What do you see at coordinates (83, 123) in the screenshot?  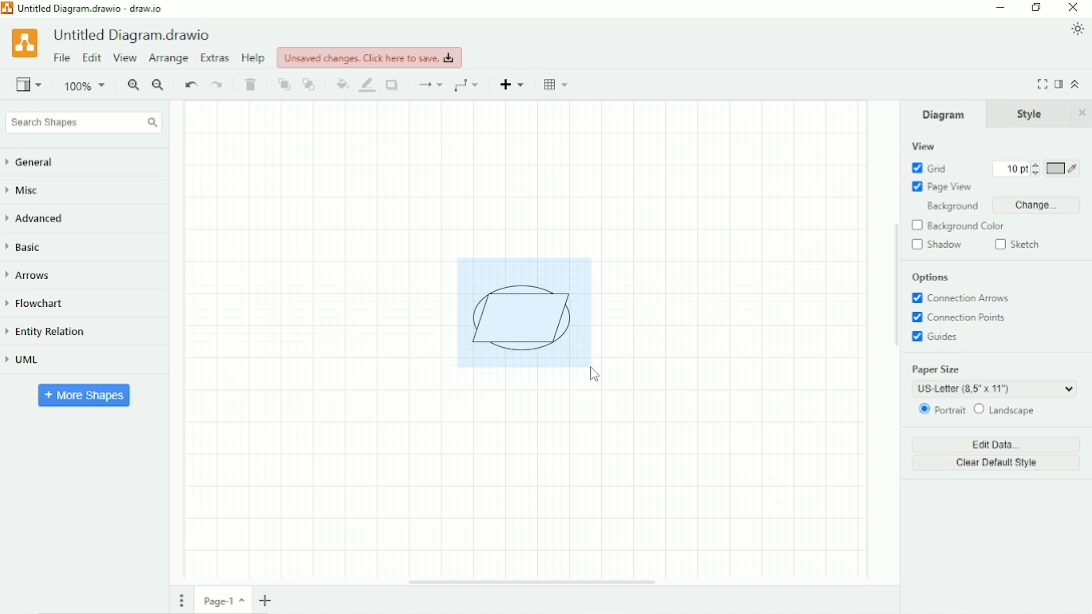 I see `Search shapes` at bounding box center [83, 123].